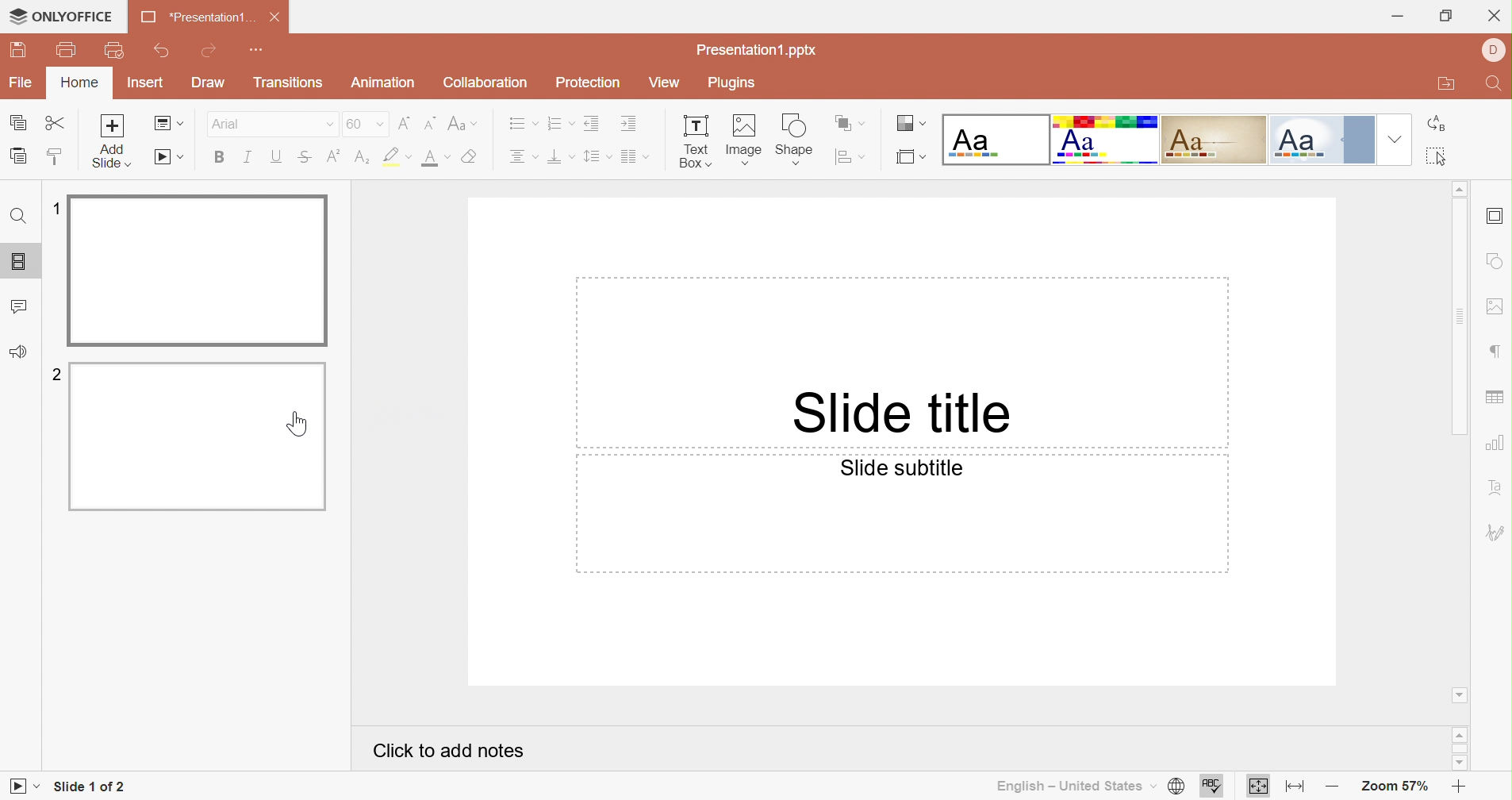  What do you see at coordinates (693, 142) in the screenshot?
I see `Text Box` at bounding box center [693, 142].